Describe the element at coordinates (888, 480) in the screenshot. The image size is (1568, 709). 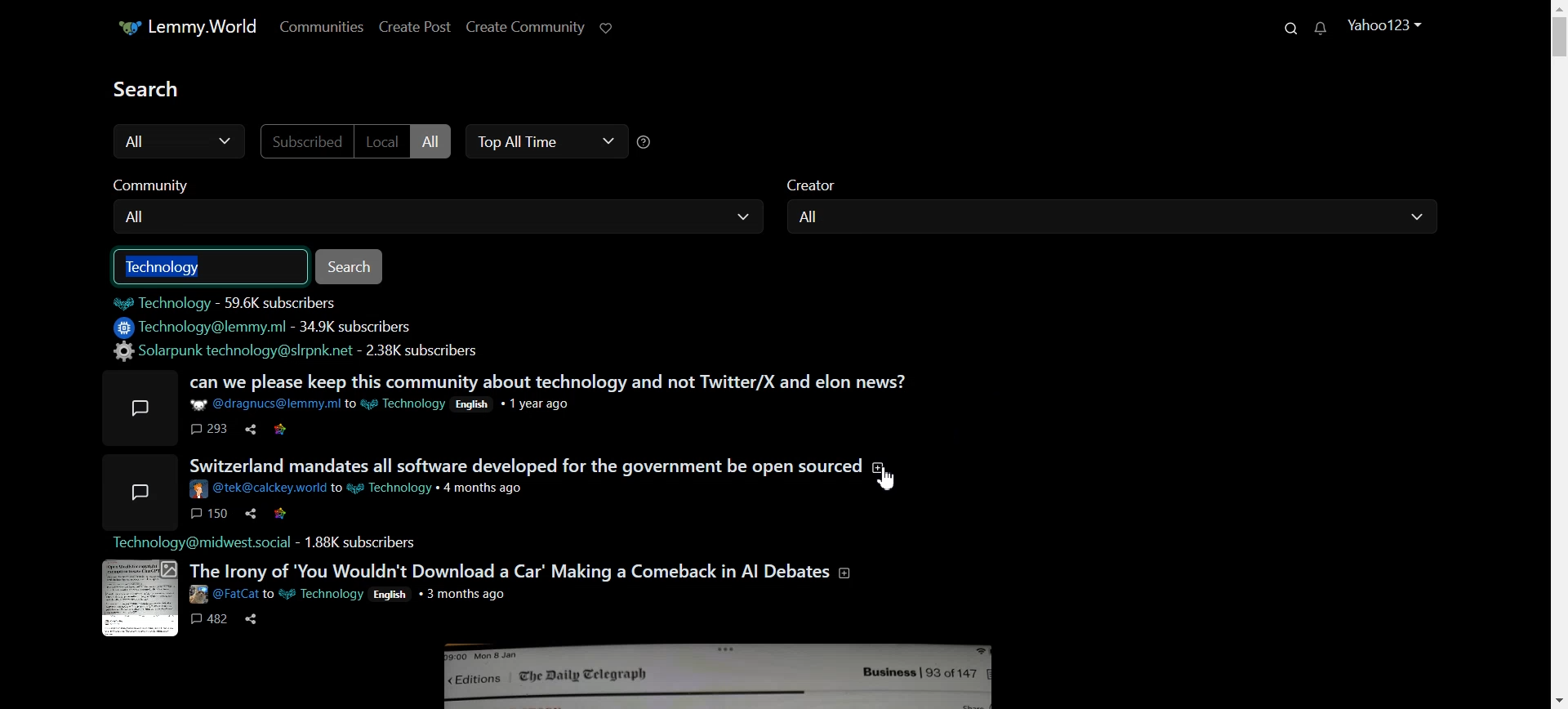
I see `Cursor` at that location.